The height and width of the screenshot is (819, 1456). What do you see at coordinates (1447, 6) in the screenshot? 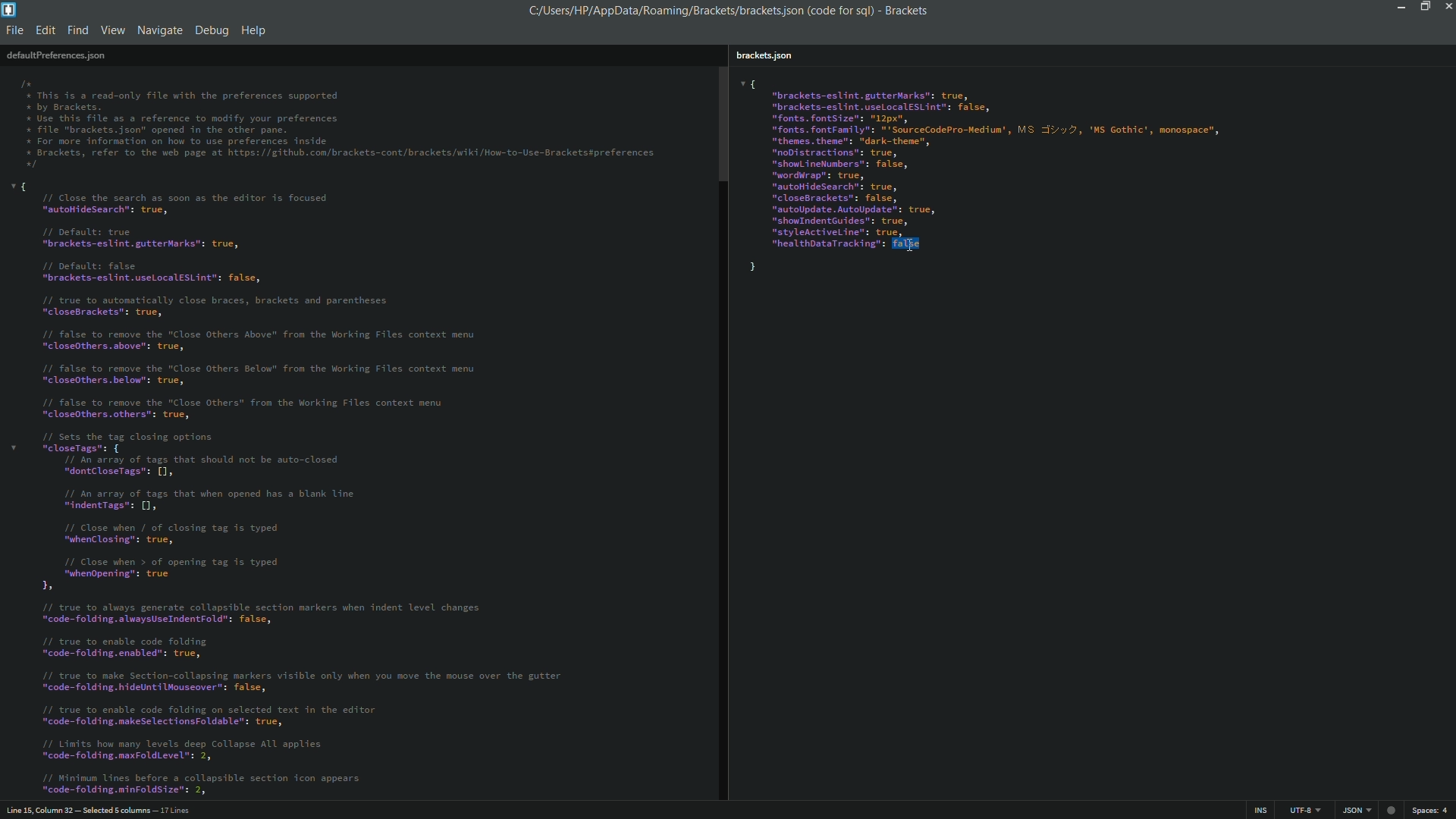
I see `Close app` at bounding box center [1447, 6].